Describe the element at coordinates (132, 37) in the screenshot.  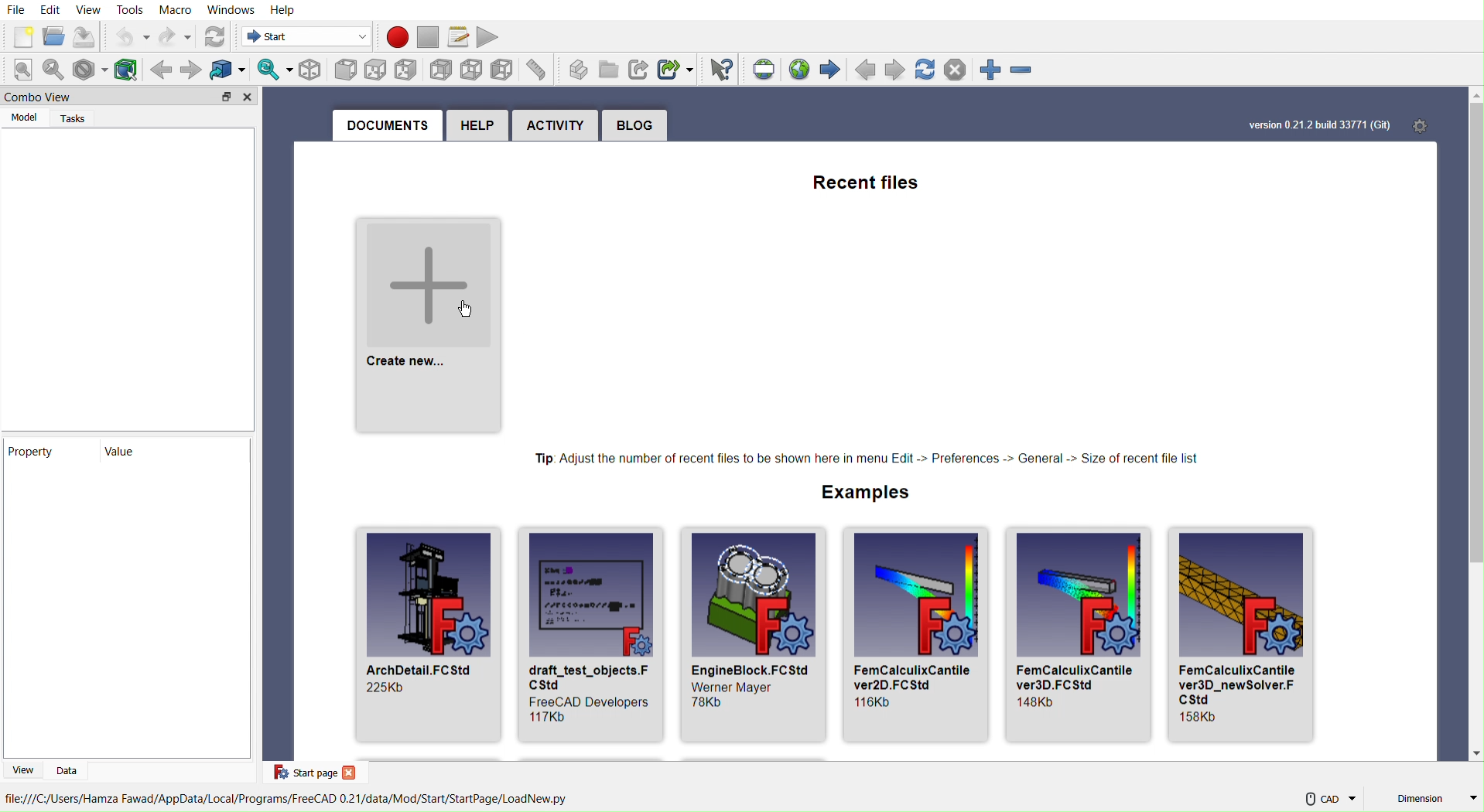
I see `Undo` at that location.